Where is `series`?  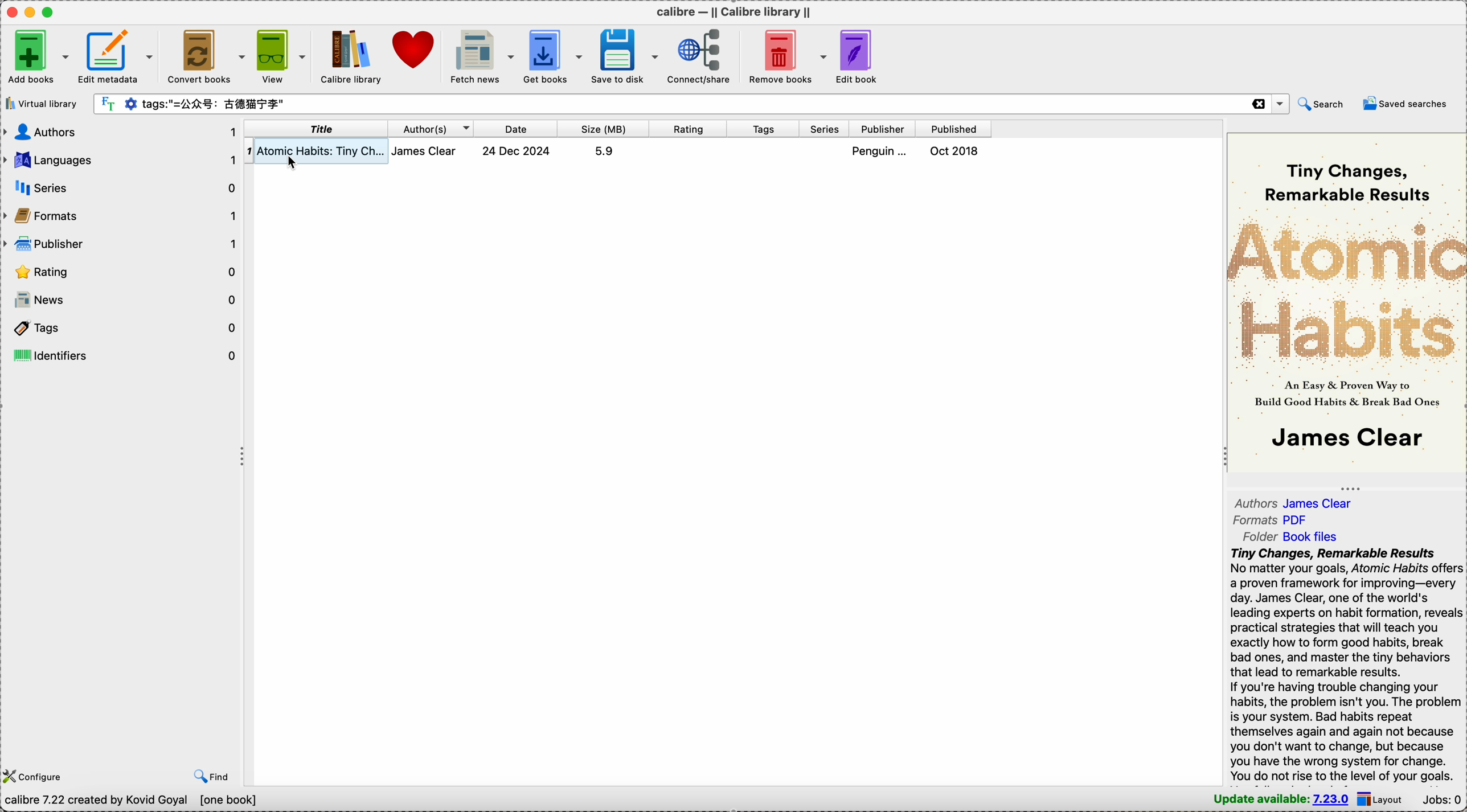 series is located at coordinates (826, 128).